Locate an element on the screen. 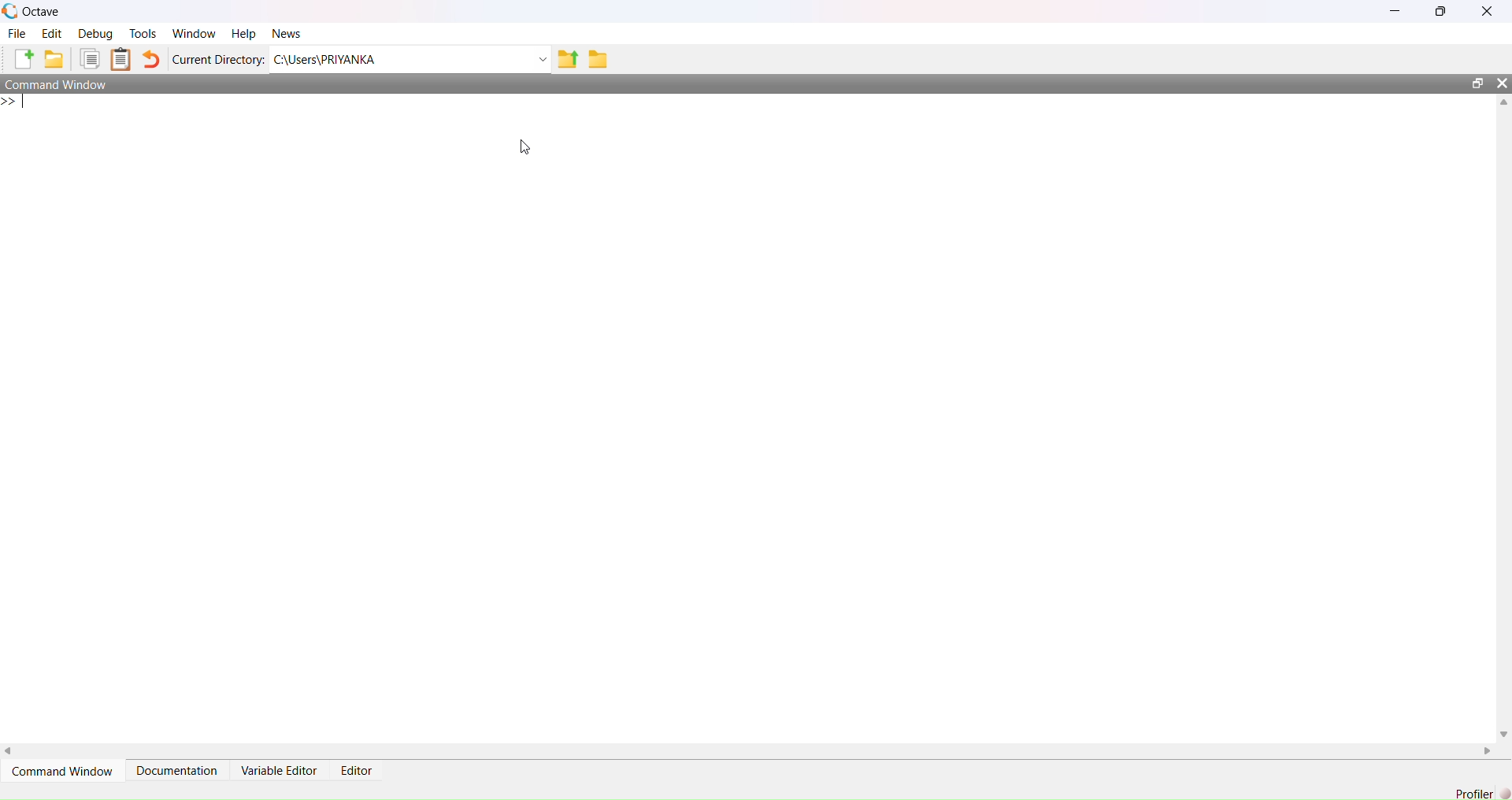 The image size is (1512, 800). Edit is located at coordinates (52, 34).